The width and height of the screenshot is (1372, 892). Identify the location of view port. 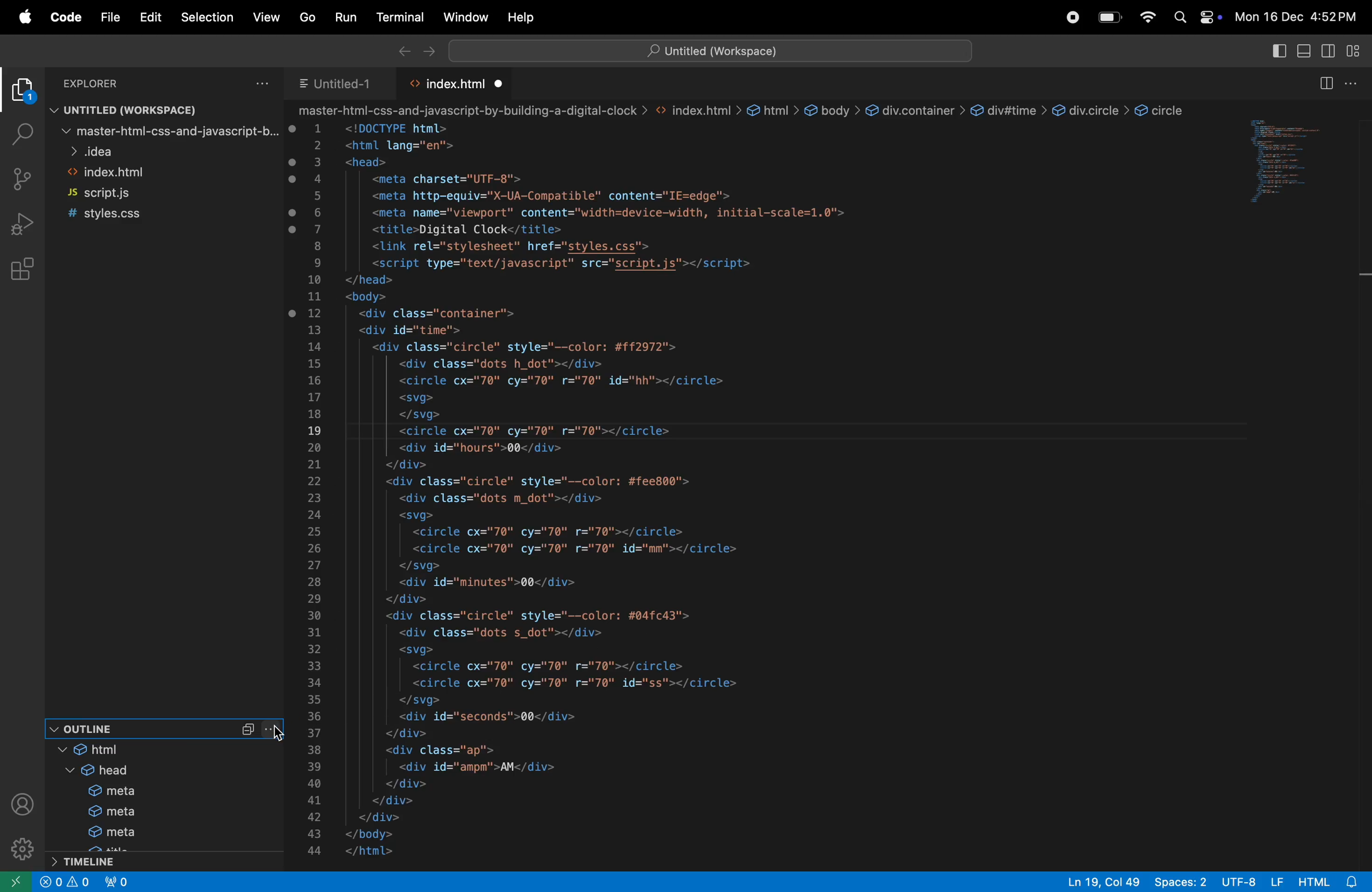
(120, 882).